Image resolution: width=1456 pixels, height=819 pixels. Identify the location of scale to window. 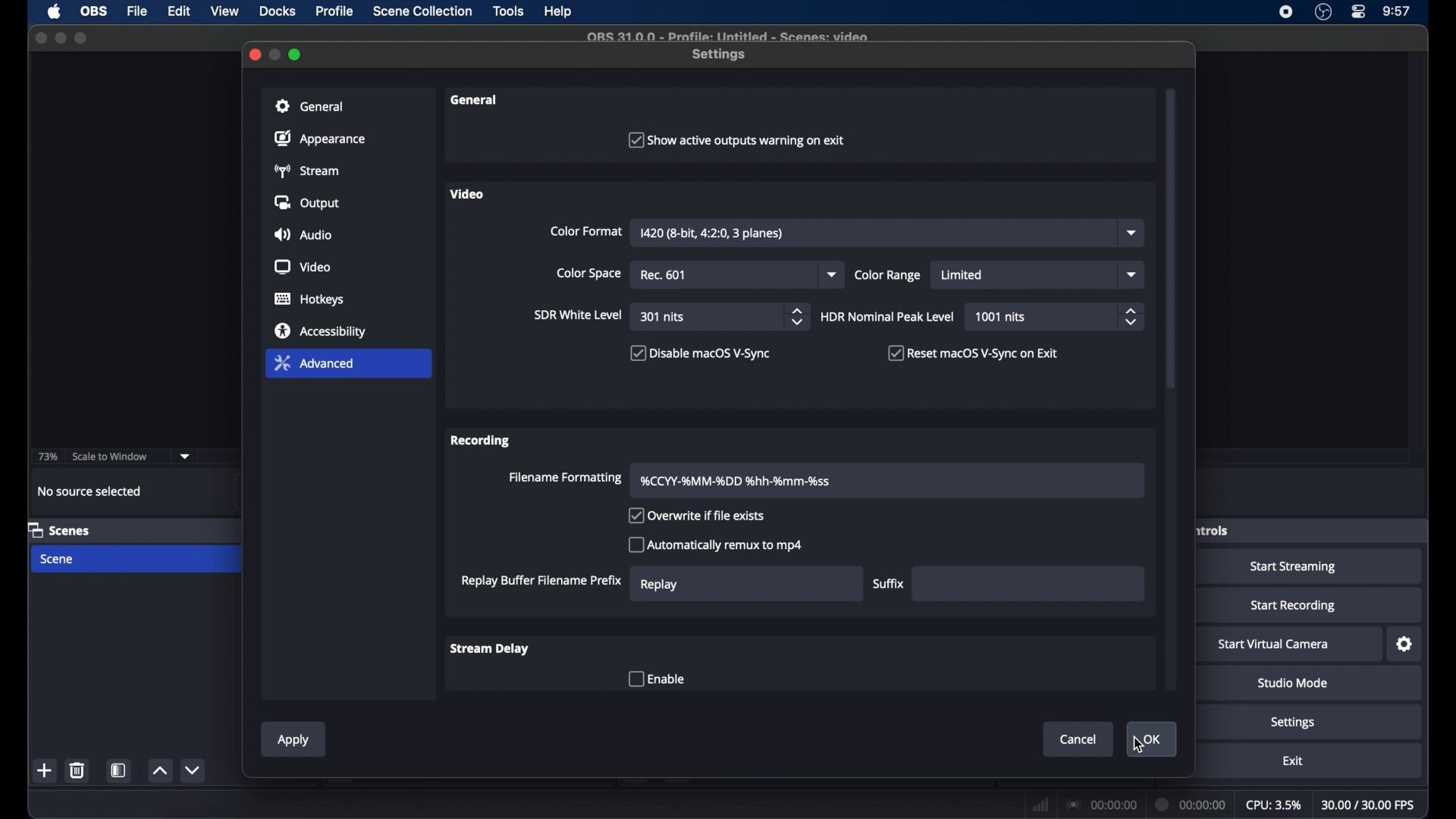
(109, 457).